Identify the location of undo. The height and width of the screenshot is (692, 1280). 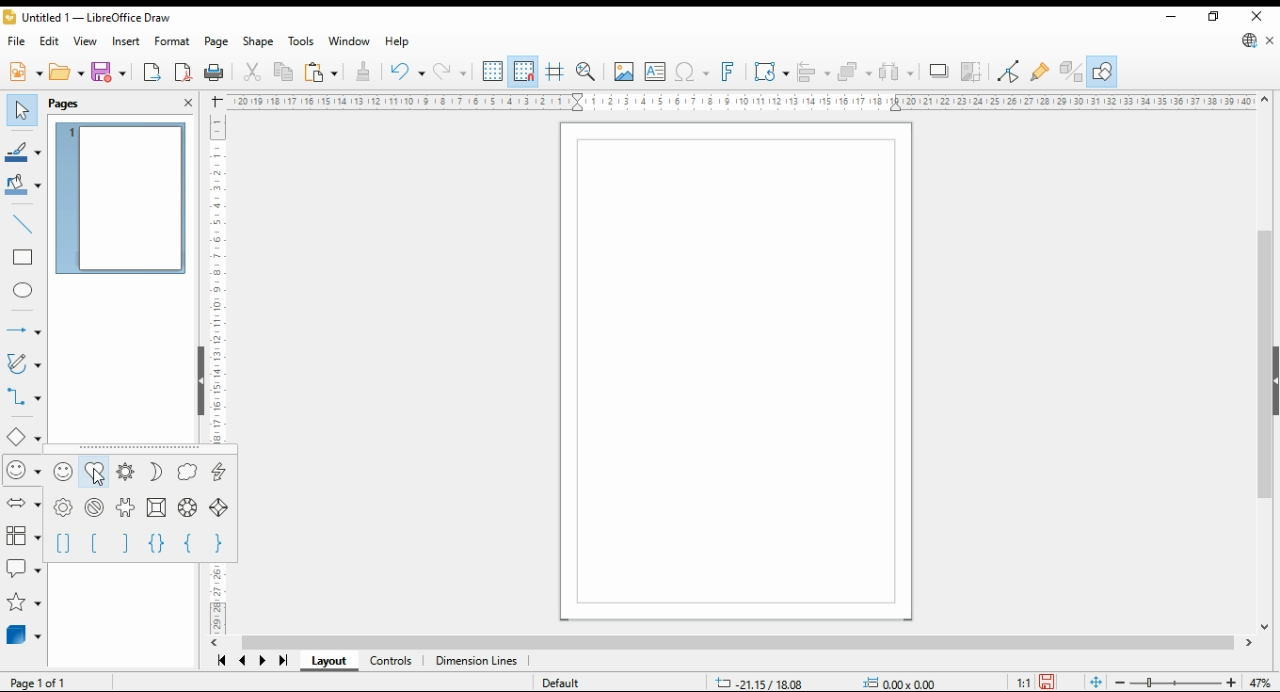
(405, 70).